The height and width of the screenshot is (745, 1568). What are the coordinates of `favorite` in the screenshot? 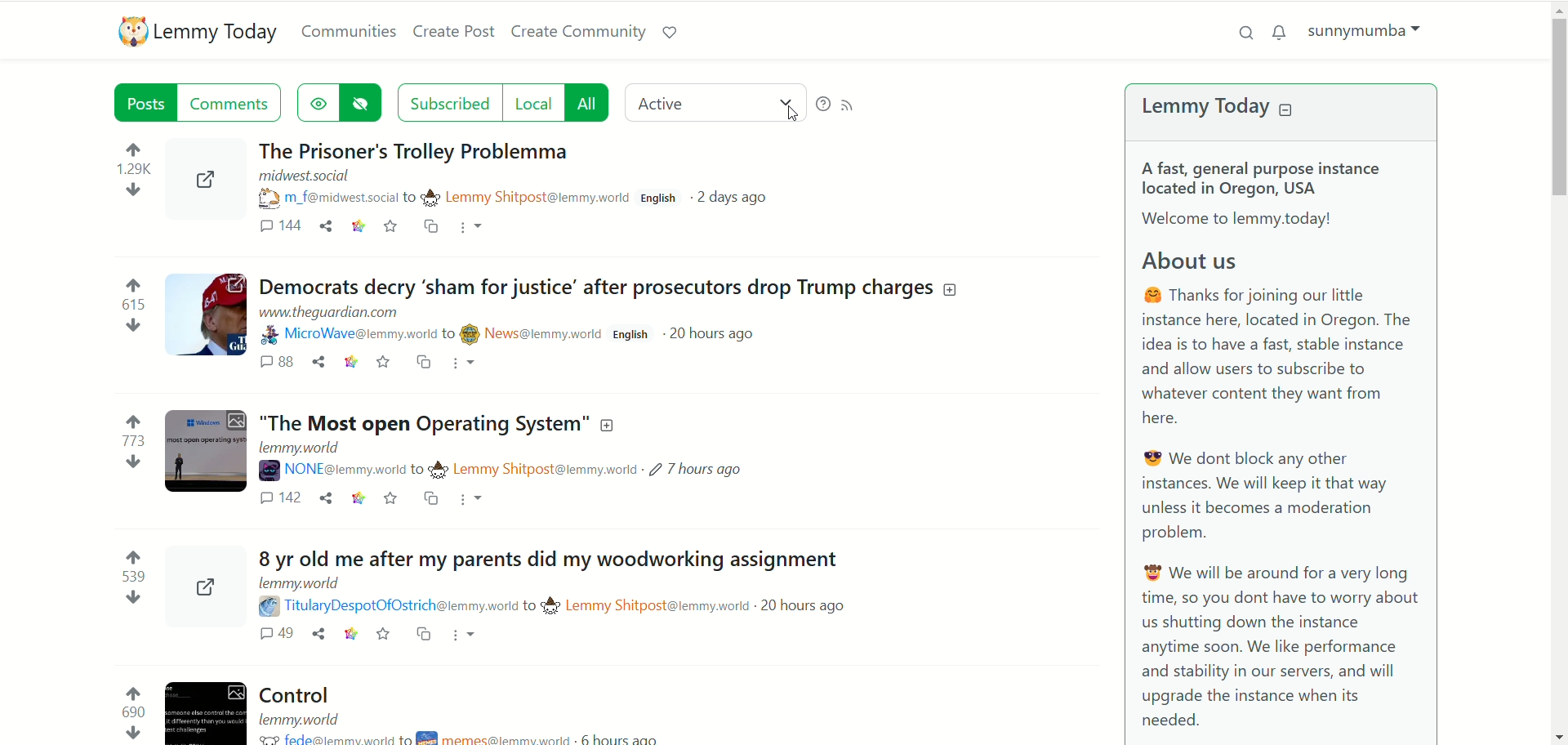 It's located at (382, 366).